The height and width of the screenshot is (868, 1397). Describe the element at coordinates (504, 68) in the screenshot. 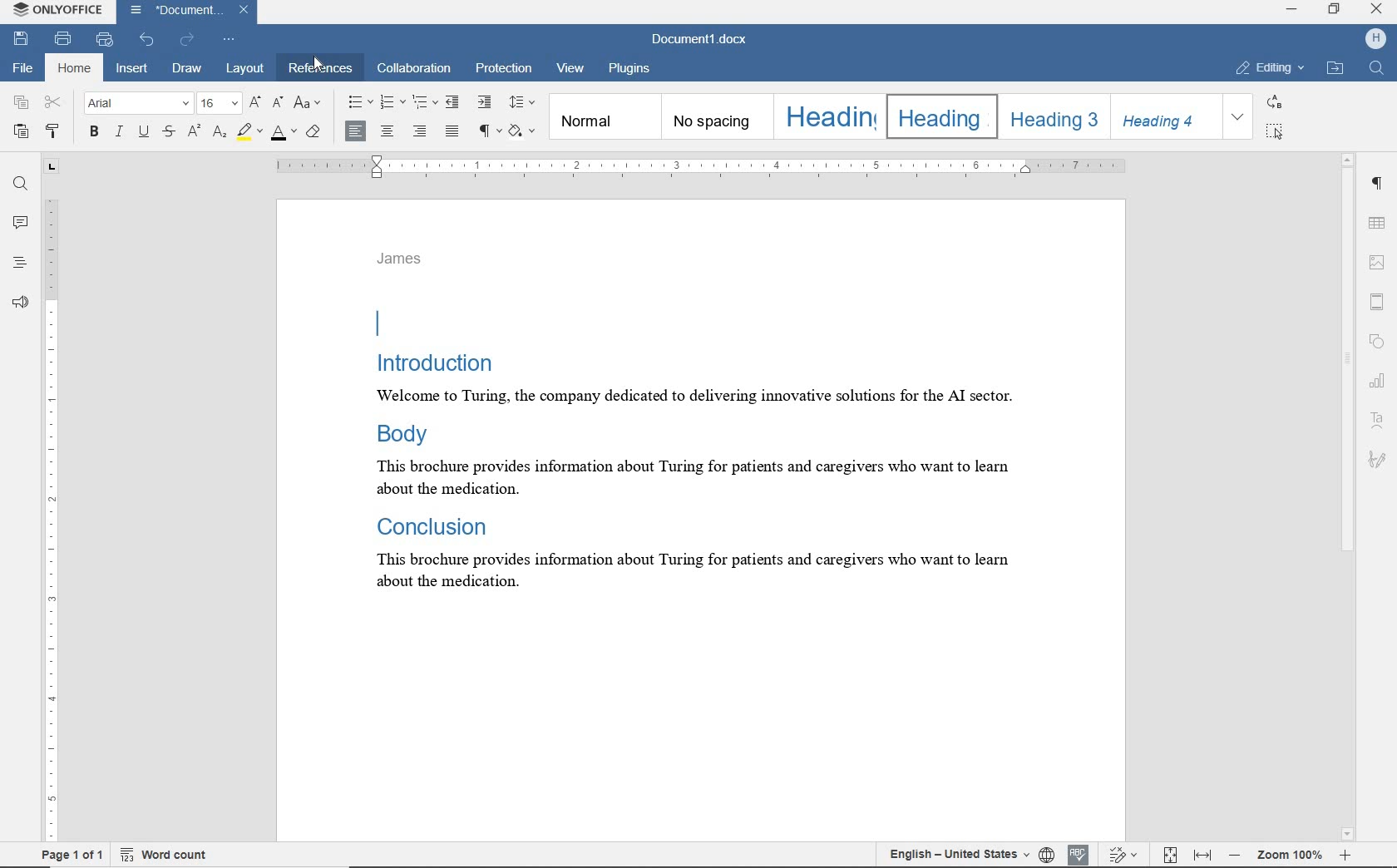

I see `protection` at that location.